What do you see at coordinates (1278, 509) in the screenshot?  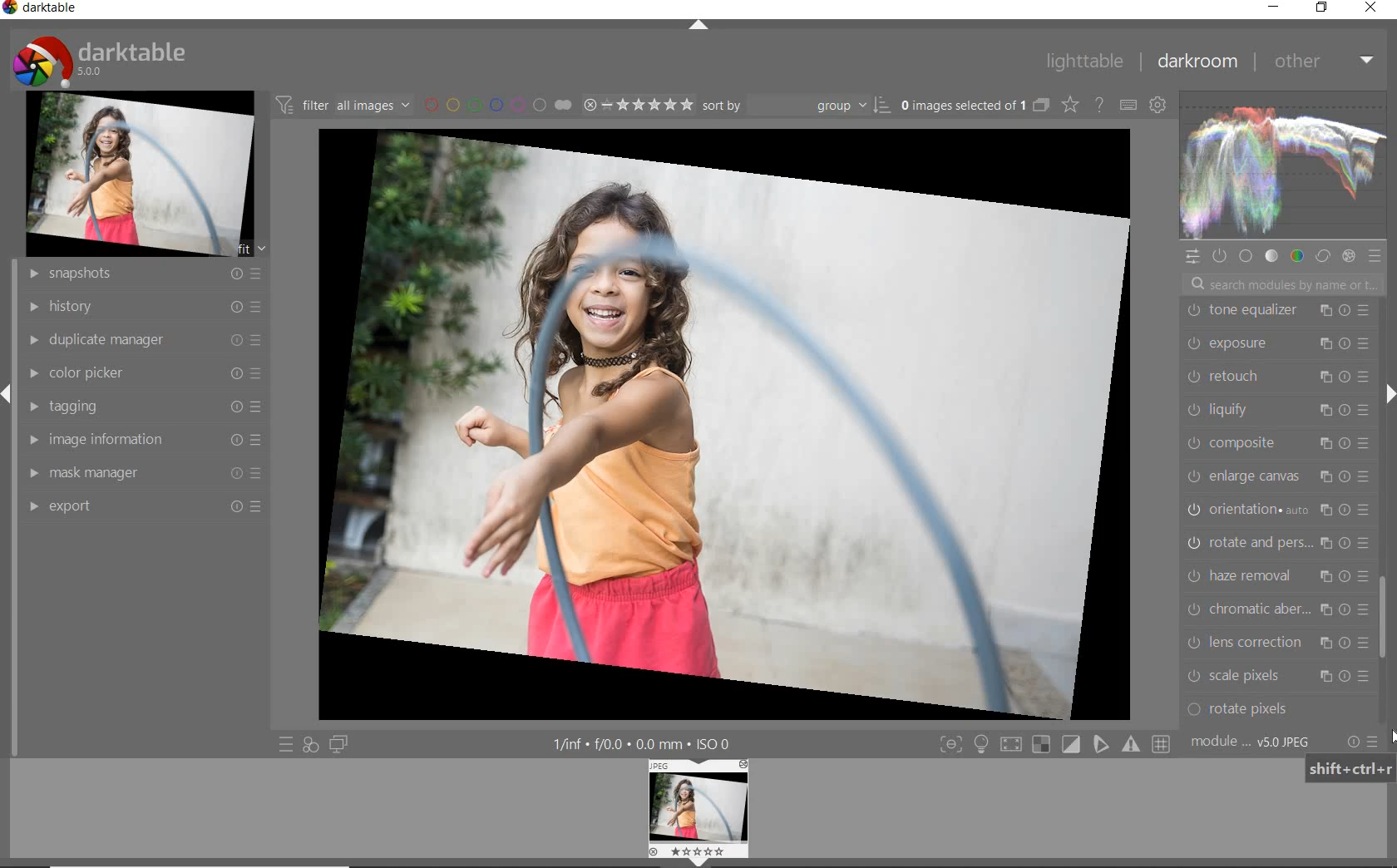 I see `orientation` at bounding box center [1278, 509].